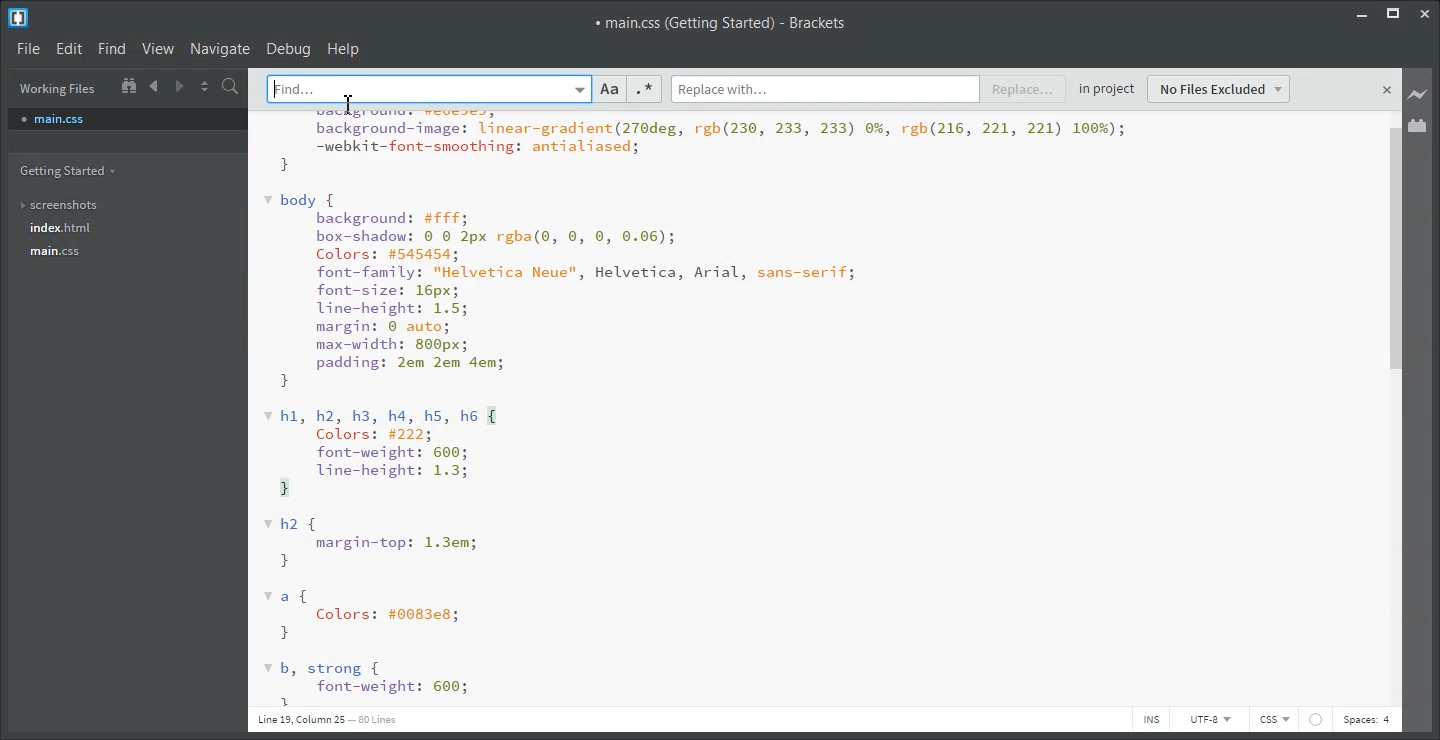 The height and width of the screenshot is (740, 1440). Describe the element at coordinates (367, 615) in the screenshot. I see `af
Colors: #0083e8;
}` at that location.